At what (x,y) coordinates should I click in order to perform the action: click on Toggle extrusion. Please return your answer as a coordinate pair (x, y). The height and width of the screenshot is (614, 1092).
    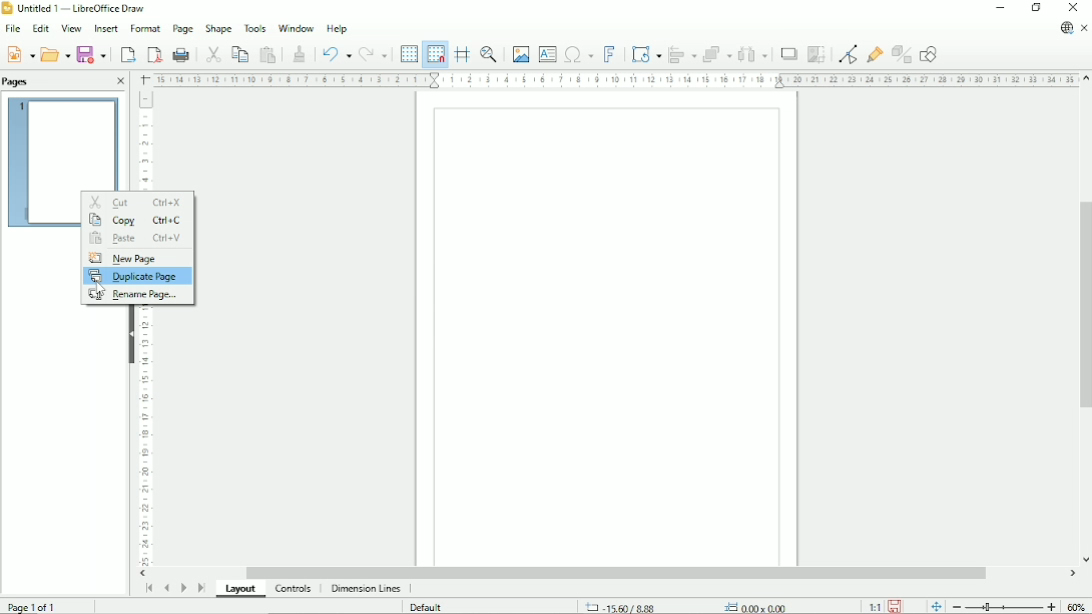
    Looking at the image, I should click on (903, 55).